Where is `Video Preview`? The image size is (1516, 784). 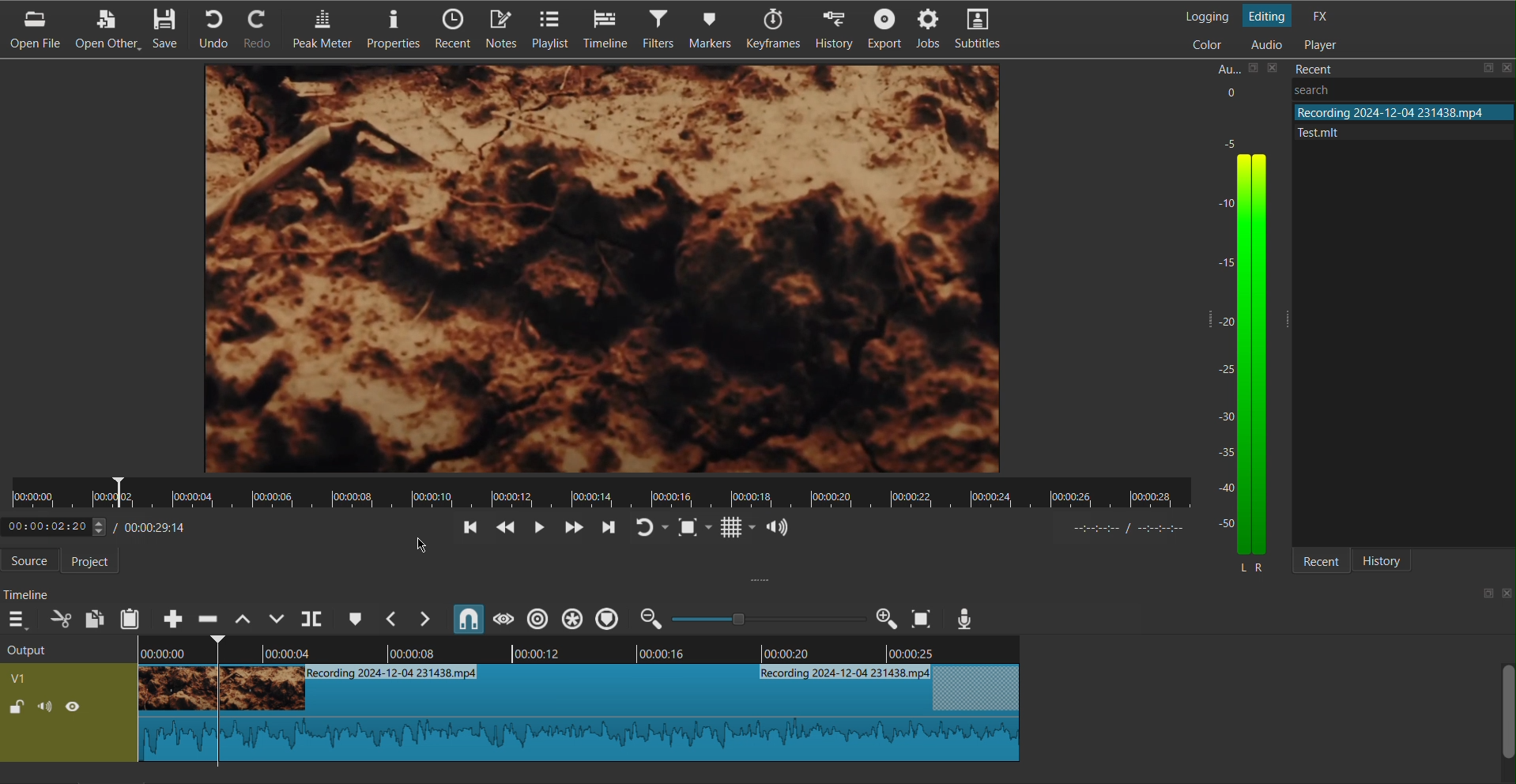 Video Preview is located at coordinates (605, 271).